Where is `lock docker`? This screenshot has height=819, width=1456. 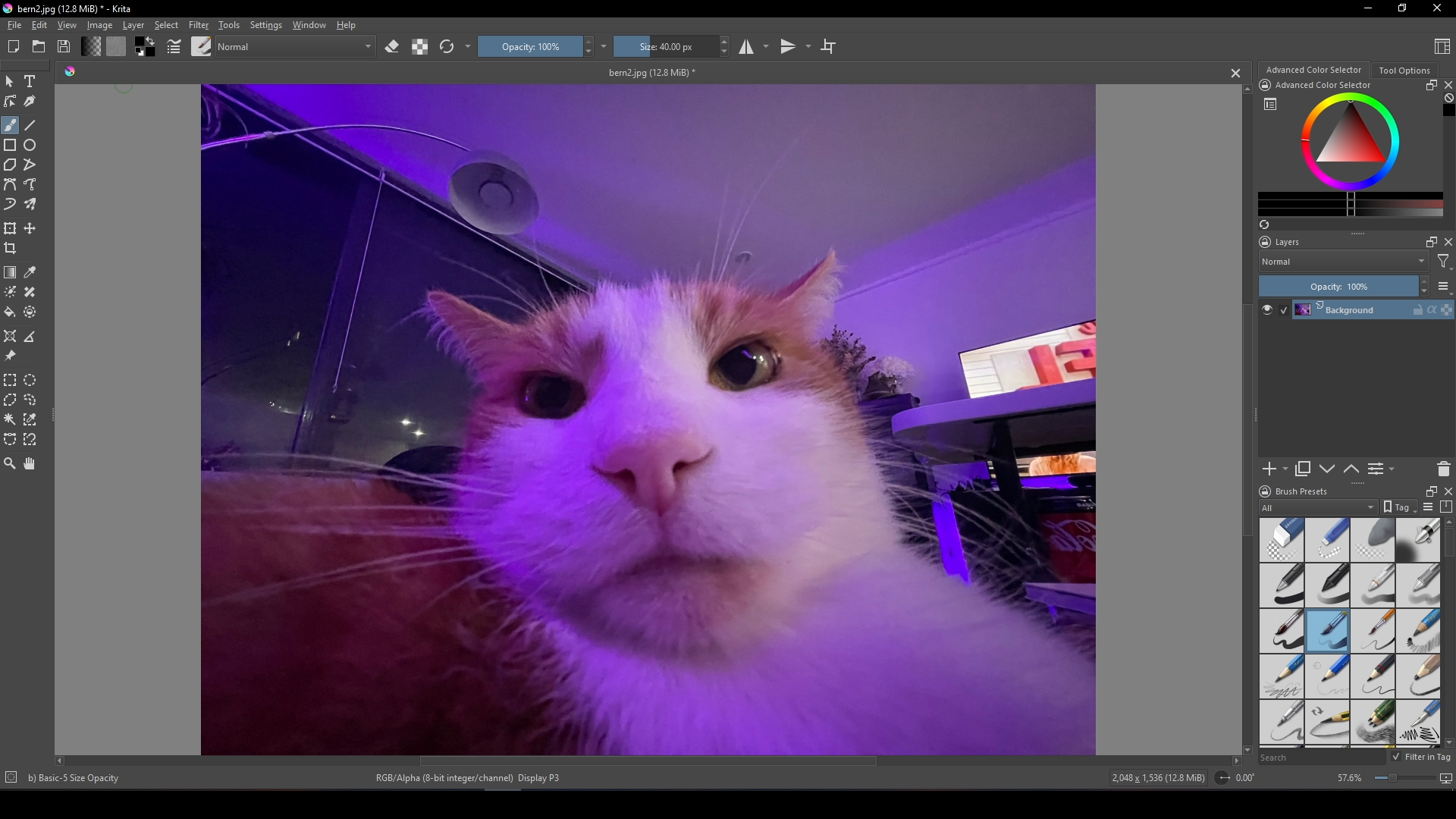 lock docker is located at coordinates (1265, 85).